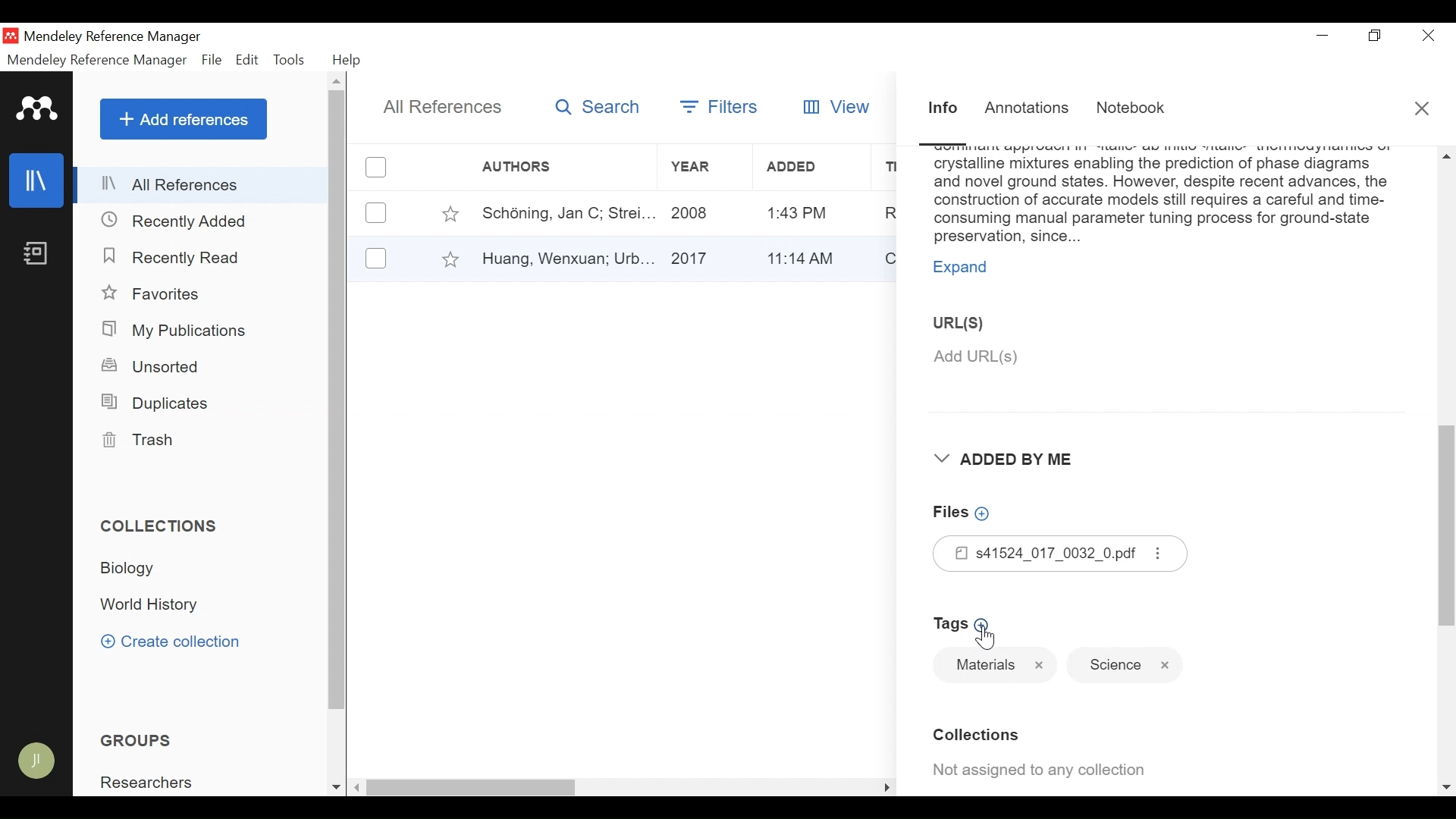 The width and height of the screenshot is (1456, 819). I want to click on Expand, so click(966, 269).